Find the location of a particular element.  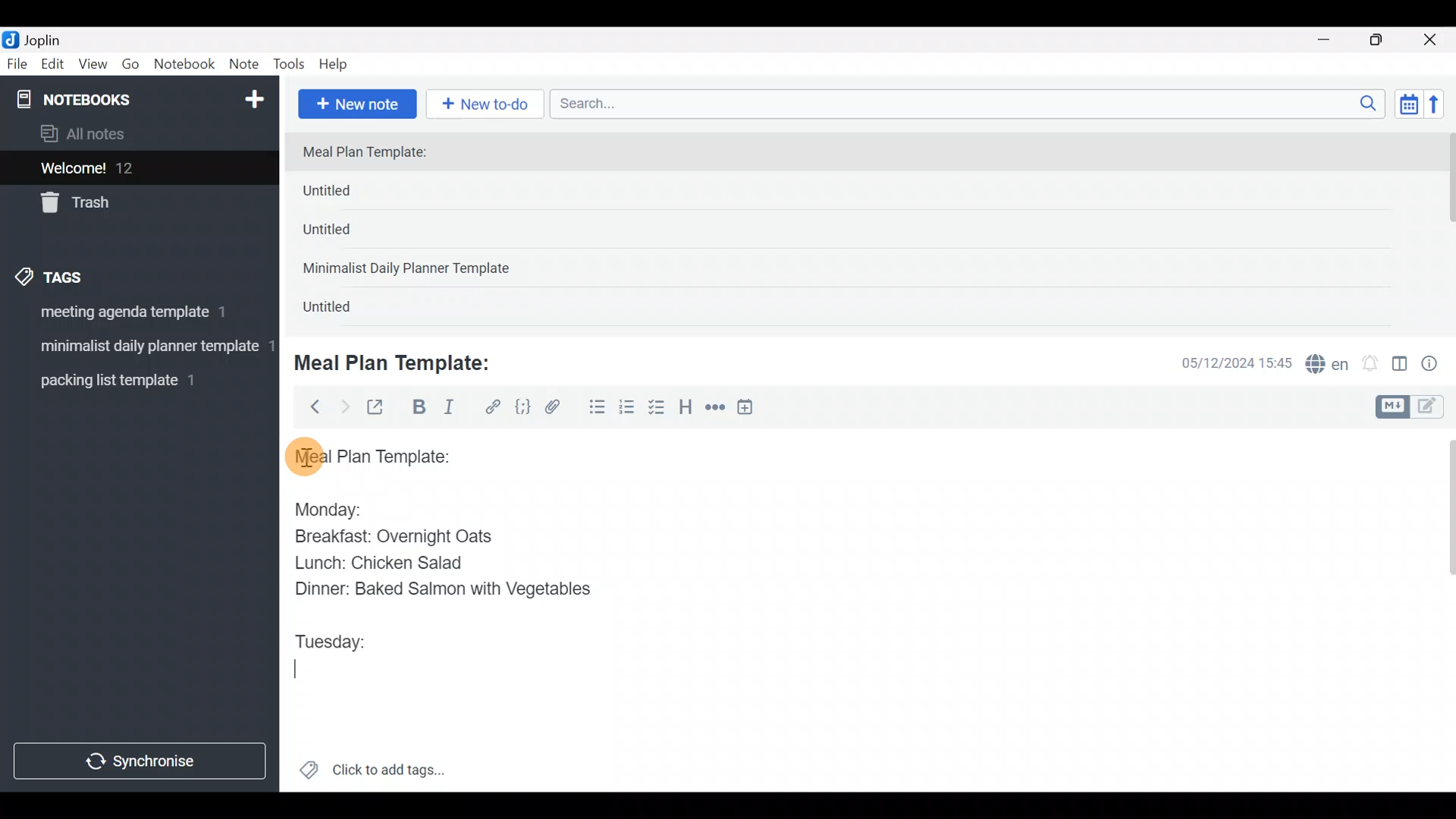

Dinner: Baked Salmon with Vegetables is located at coordinates (439, 588).